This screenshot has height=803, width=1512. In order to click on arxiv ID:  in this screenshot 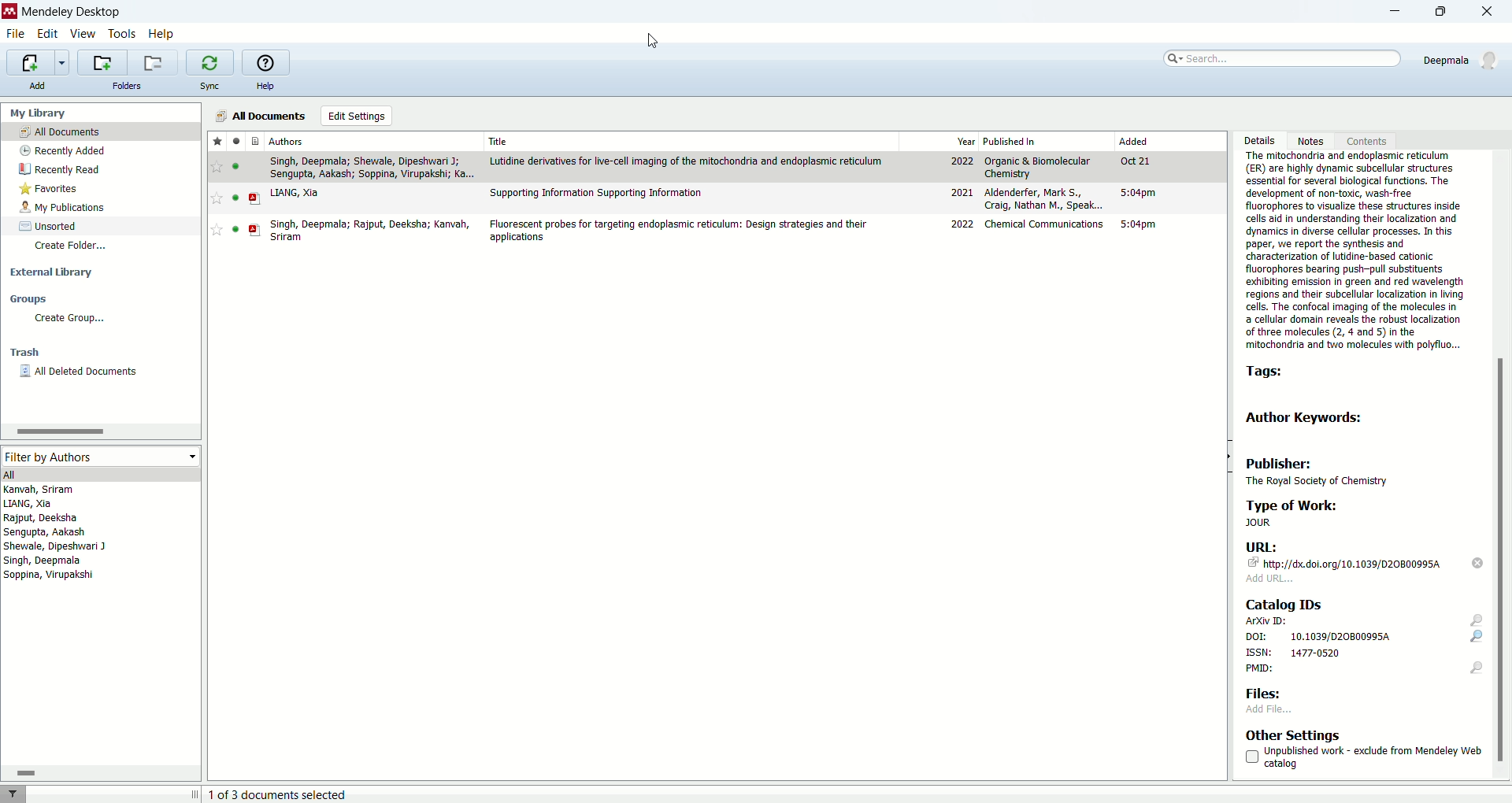, I will do `click(1364, 620)`.